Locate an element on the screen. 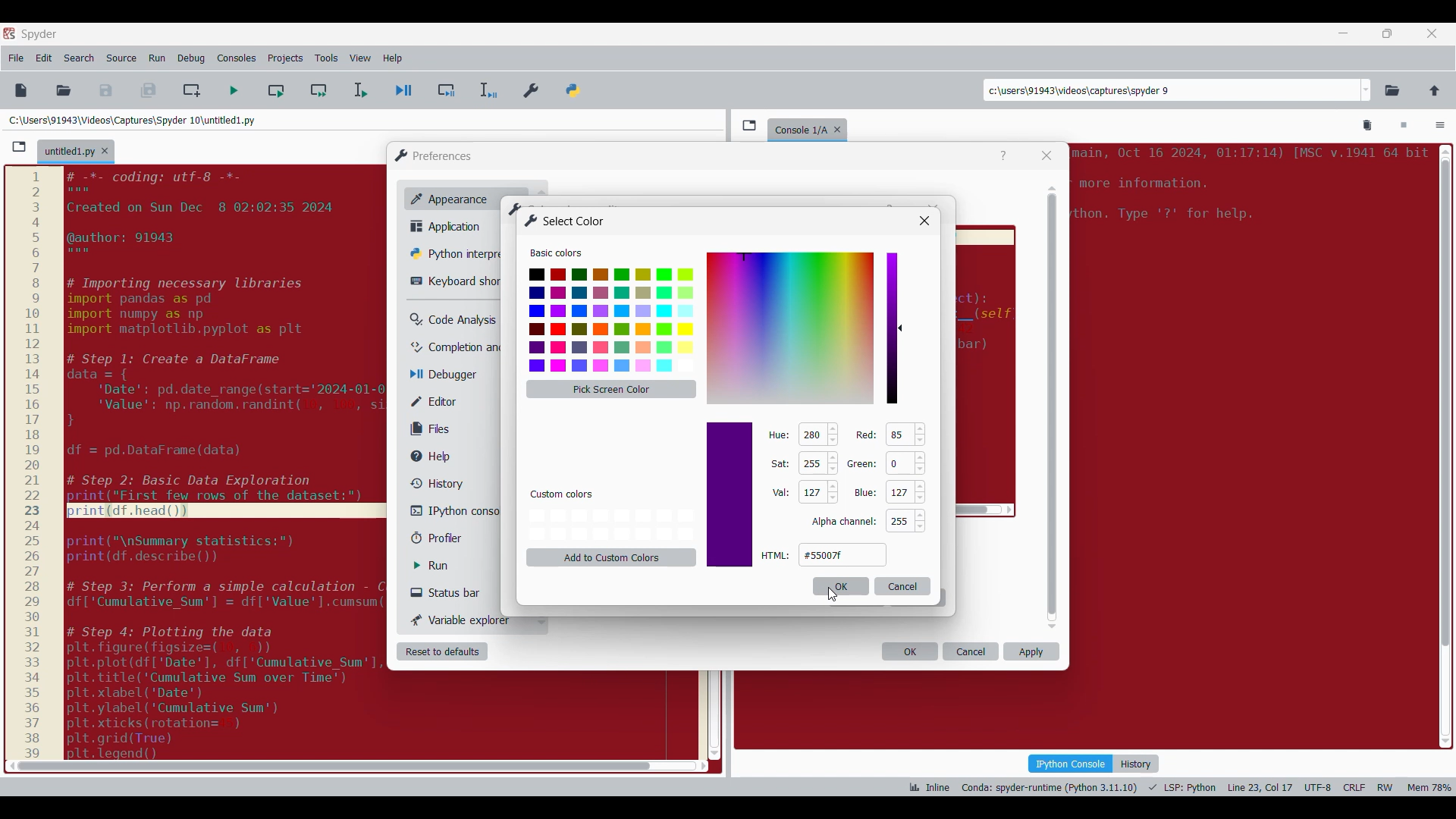 This screenshot has height=819, width=1456. Search menu is located at coordinates (80, 58).